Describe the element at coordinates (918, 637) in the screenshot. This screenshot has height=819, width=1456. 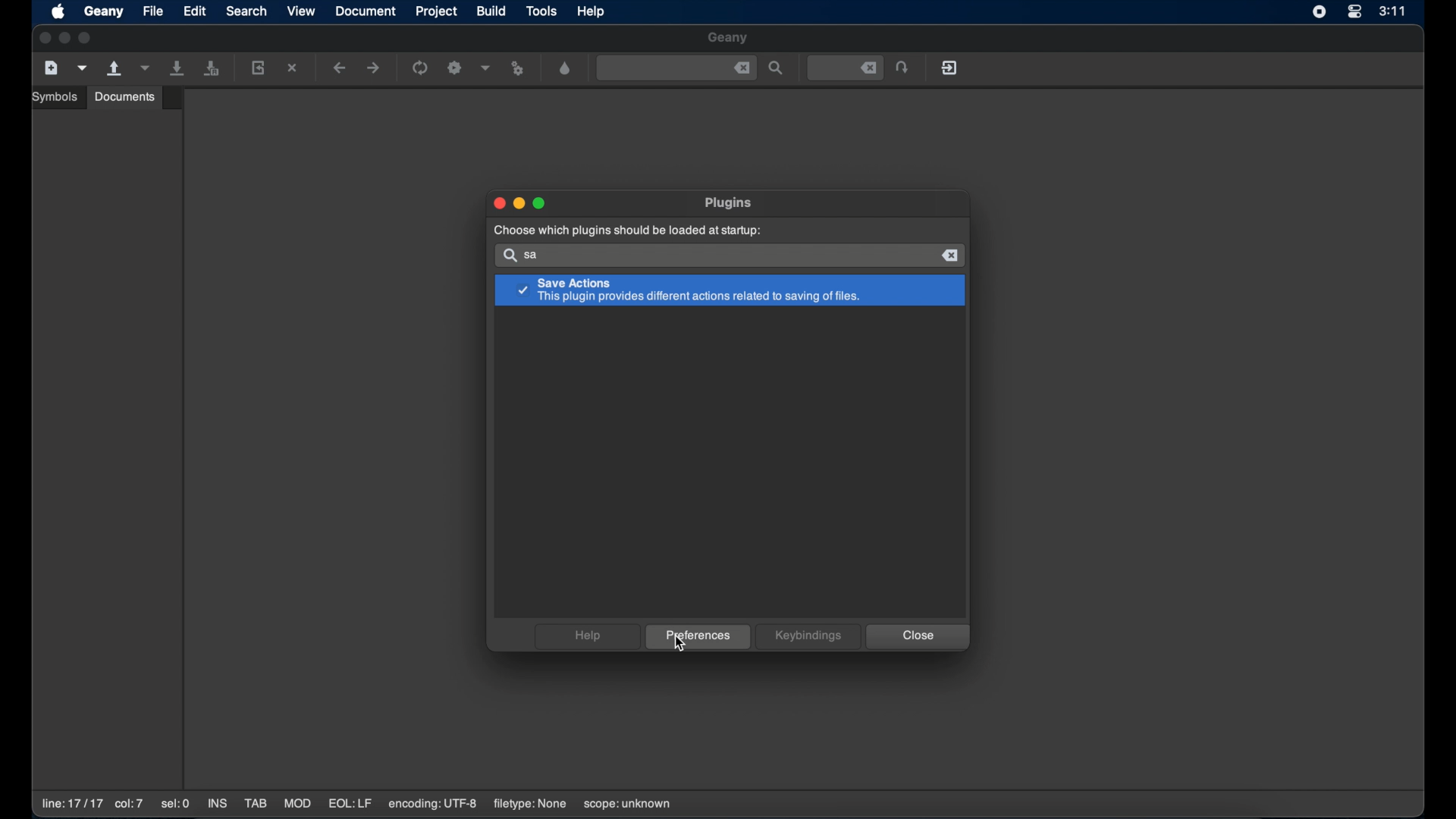
I see `close` at that location.